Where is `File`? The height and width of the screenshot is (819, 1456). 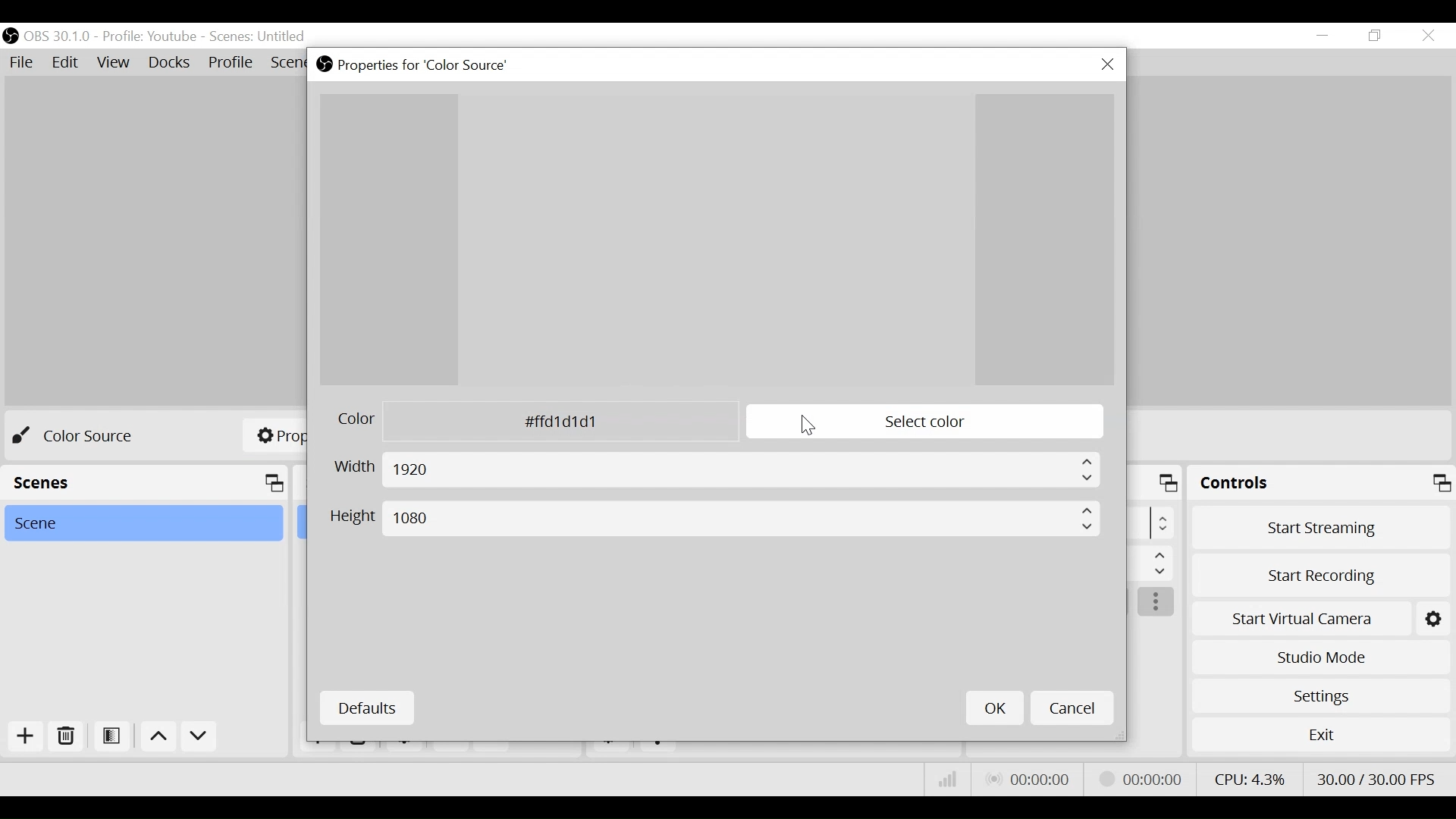
File is located at coordinates (20, 61).